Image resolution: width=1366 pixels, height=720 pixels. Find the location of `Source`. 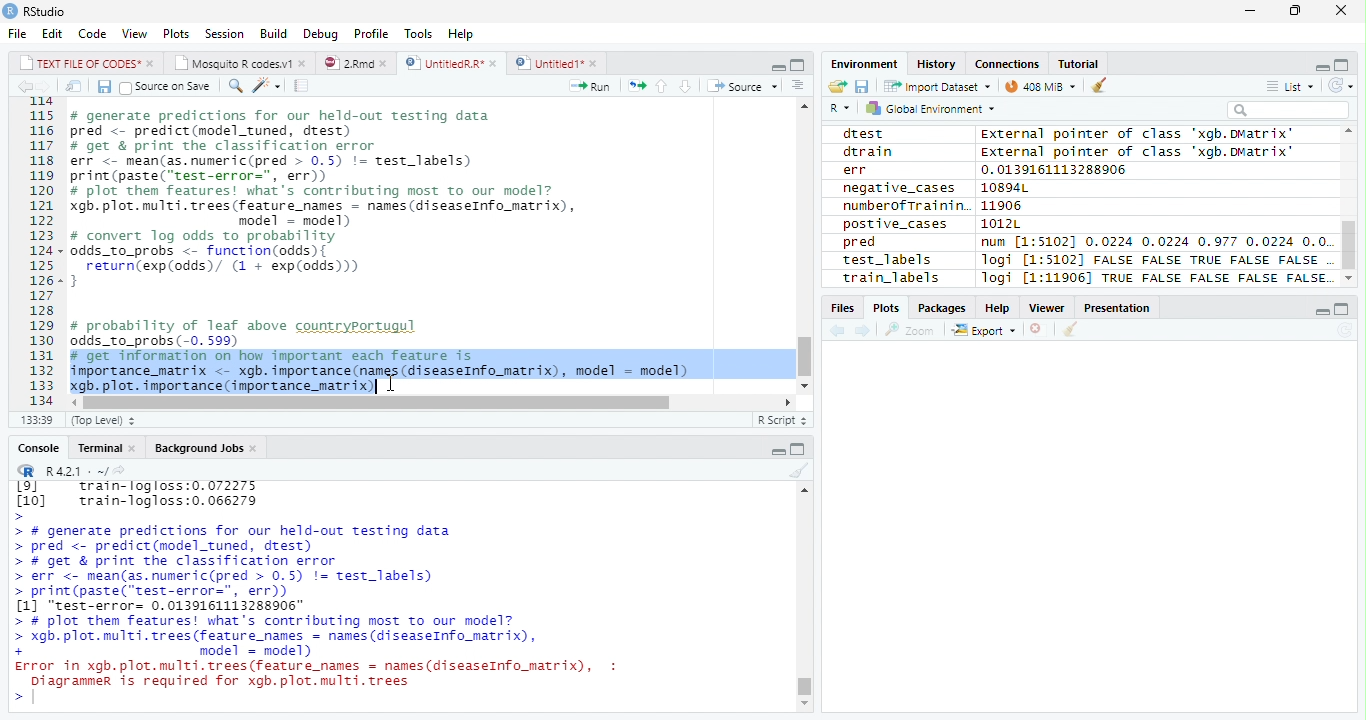

Source is located at coordinates (741, 85).